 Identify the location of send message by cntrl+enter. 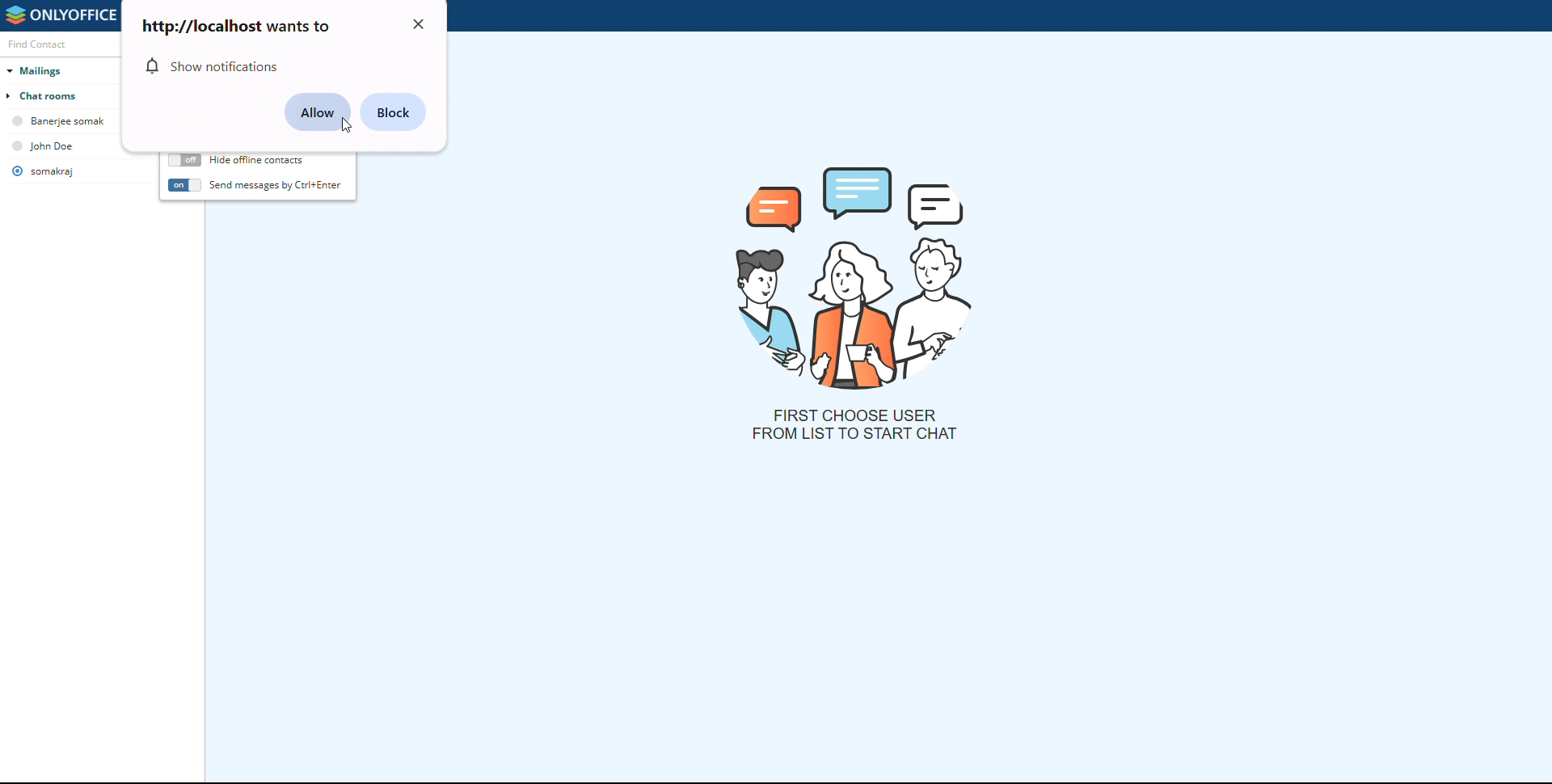
(183, 185).